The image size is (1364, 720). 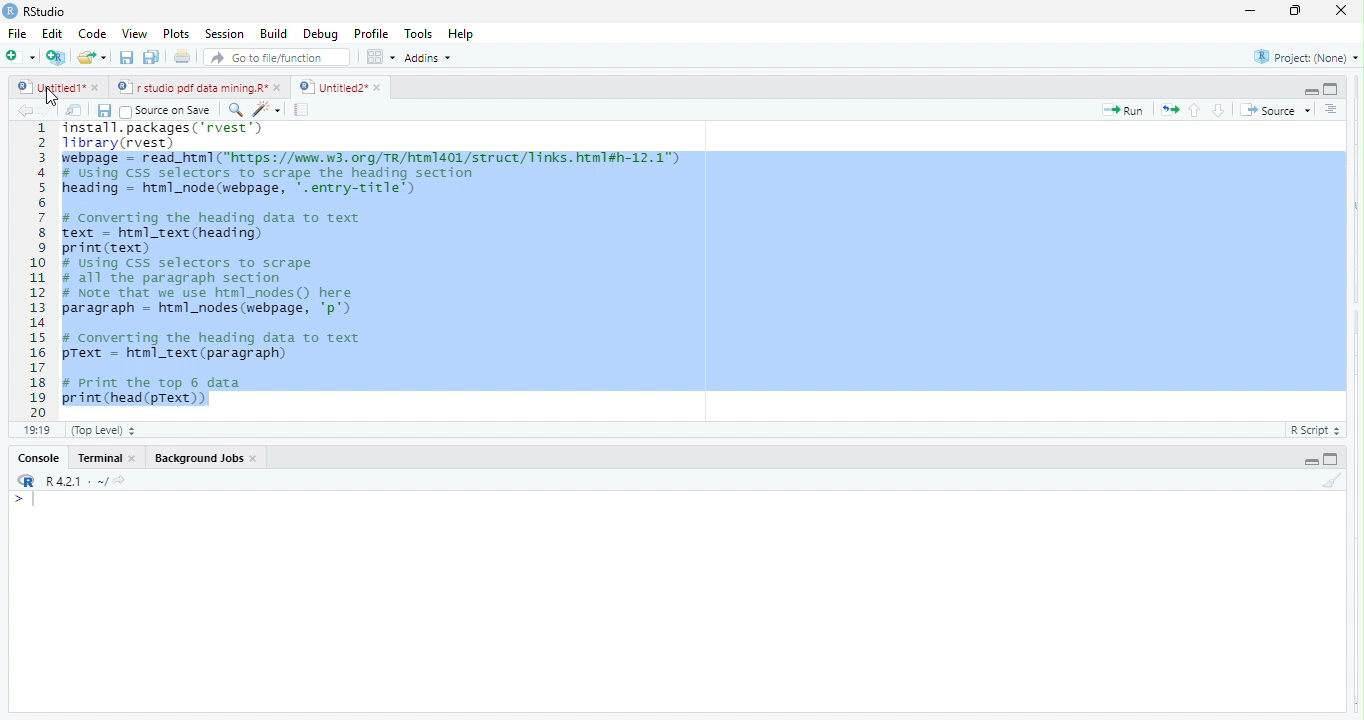 What do you see at coordinates (75, 112) in the screenshot?
I see `show in new window` at bounding box center [75, 112].